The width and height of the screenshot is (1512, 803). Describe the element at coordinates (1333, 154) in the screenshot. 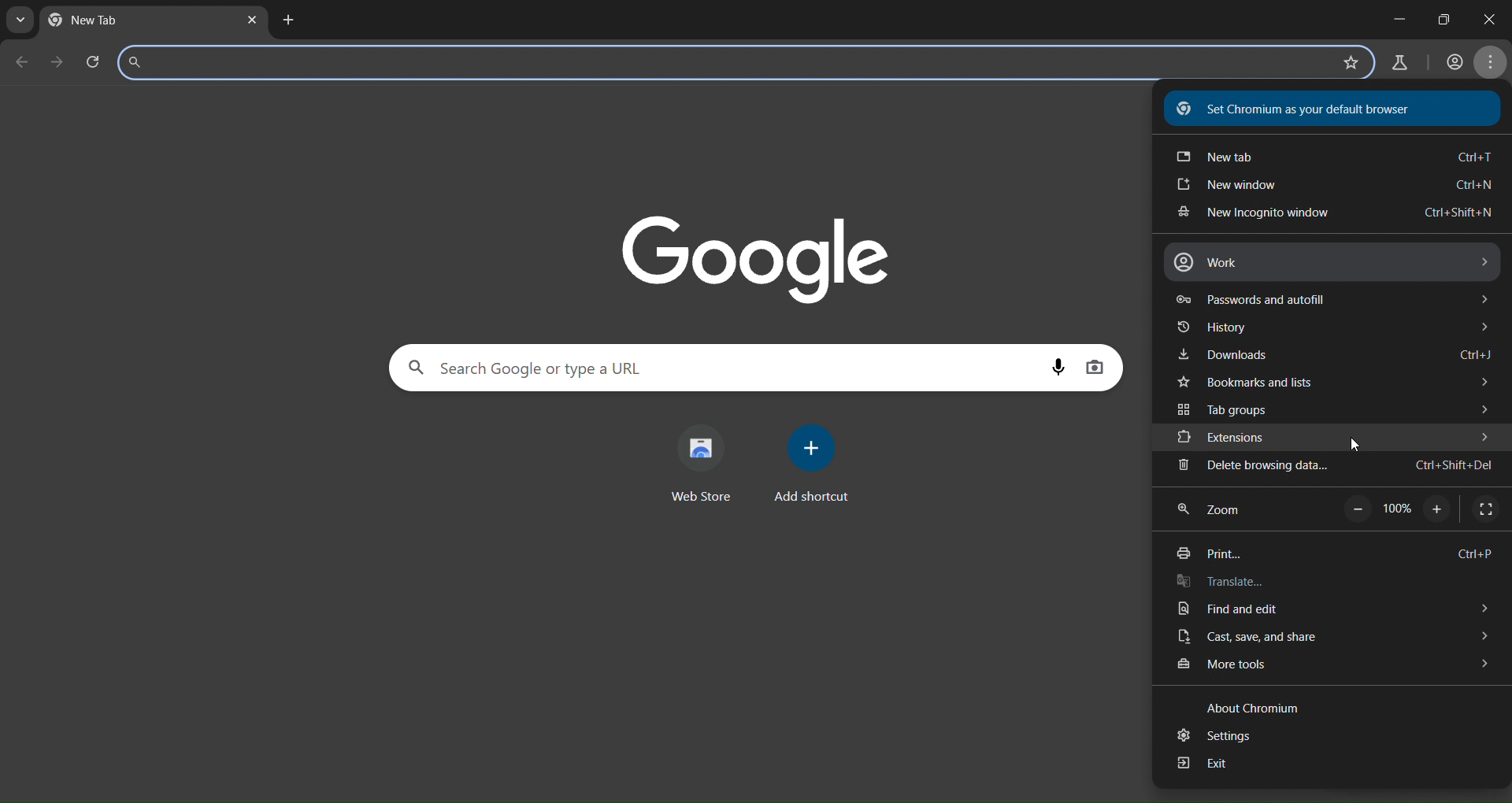

I see `new tab` at that location.